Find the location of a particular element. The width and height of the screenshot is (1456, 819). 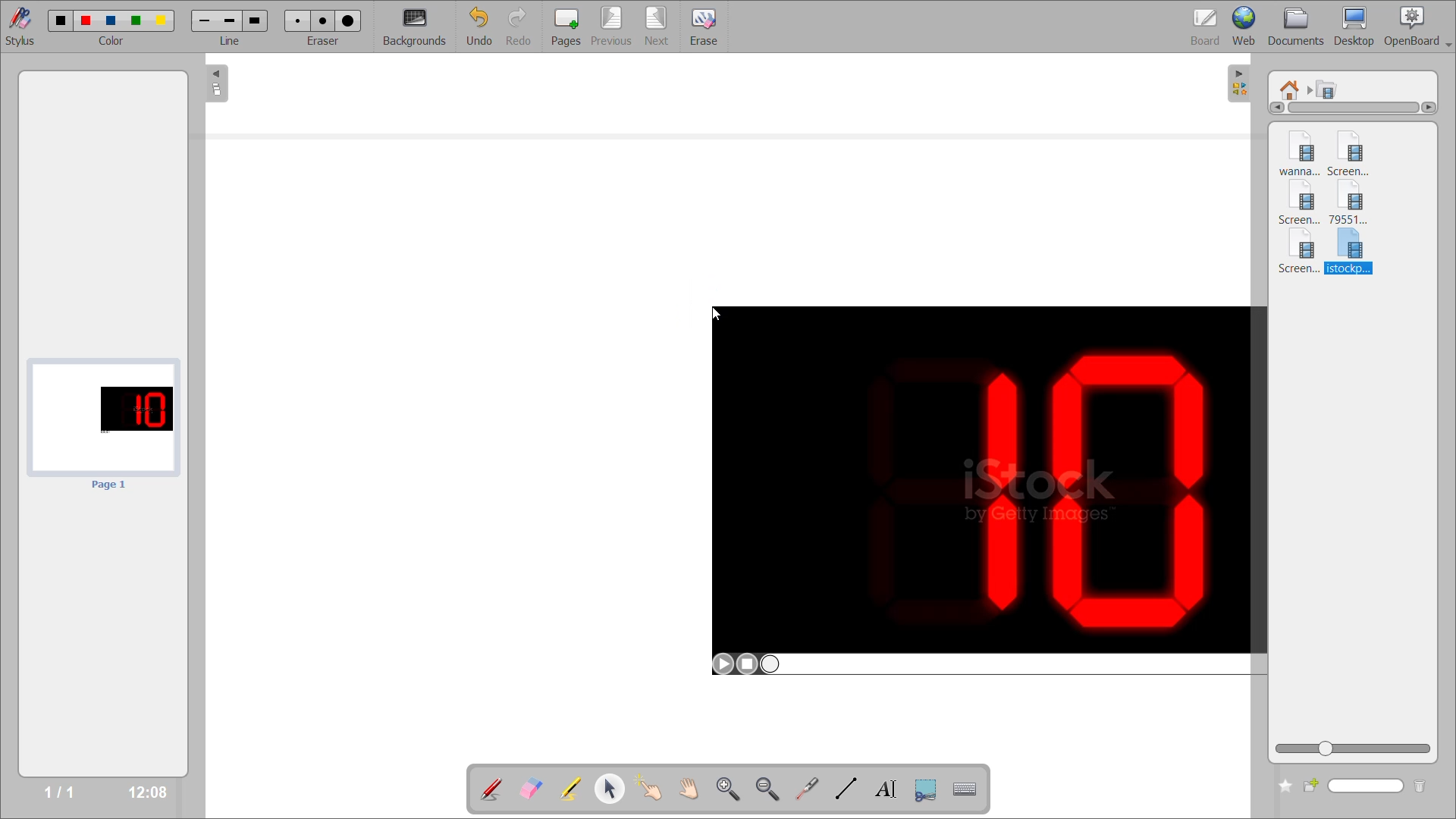

undo is located at coordinates (478, 27).